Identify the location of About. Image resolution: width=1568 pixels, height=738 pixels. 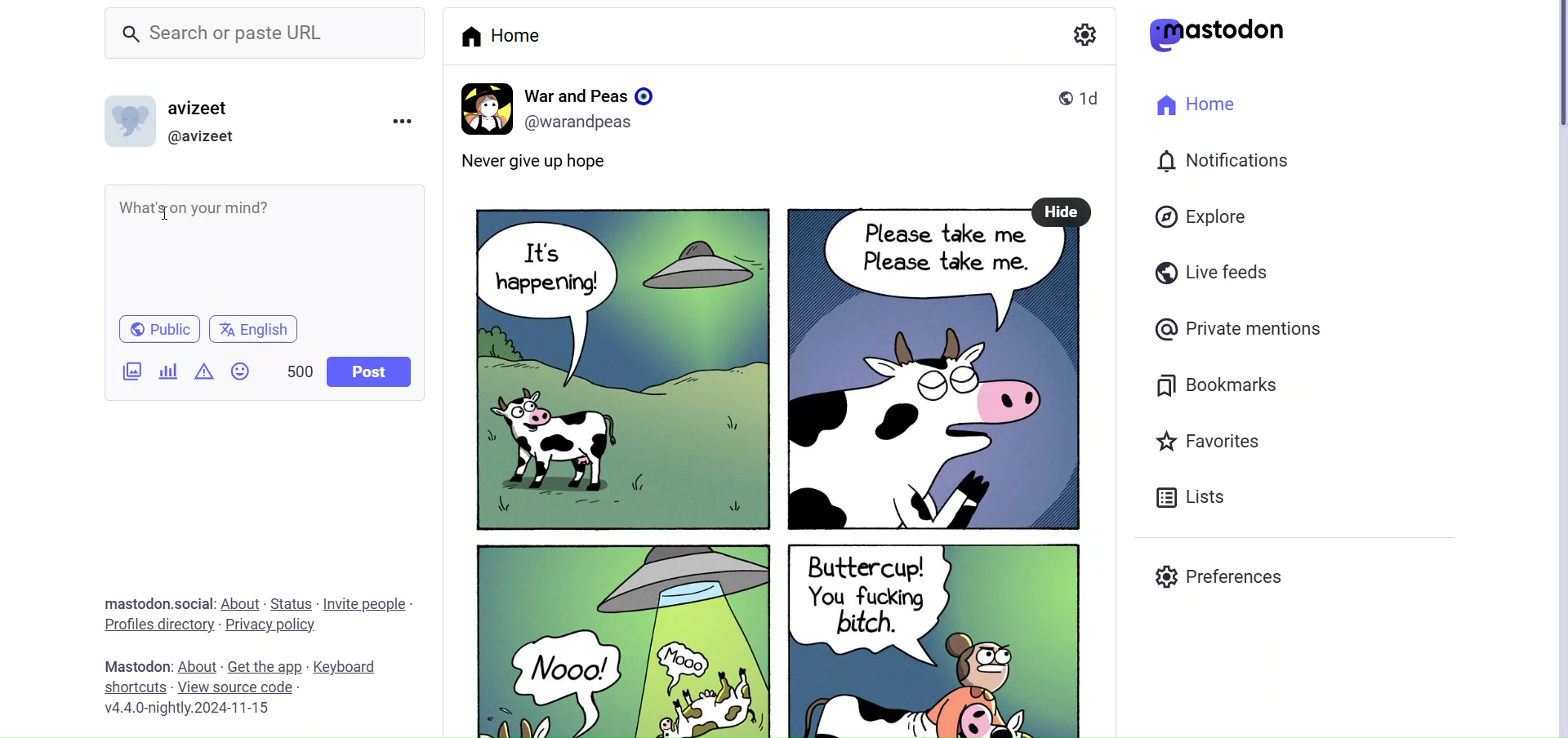
(197, 657).